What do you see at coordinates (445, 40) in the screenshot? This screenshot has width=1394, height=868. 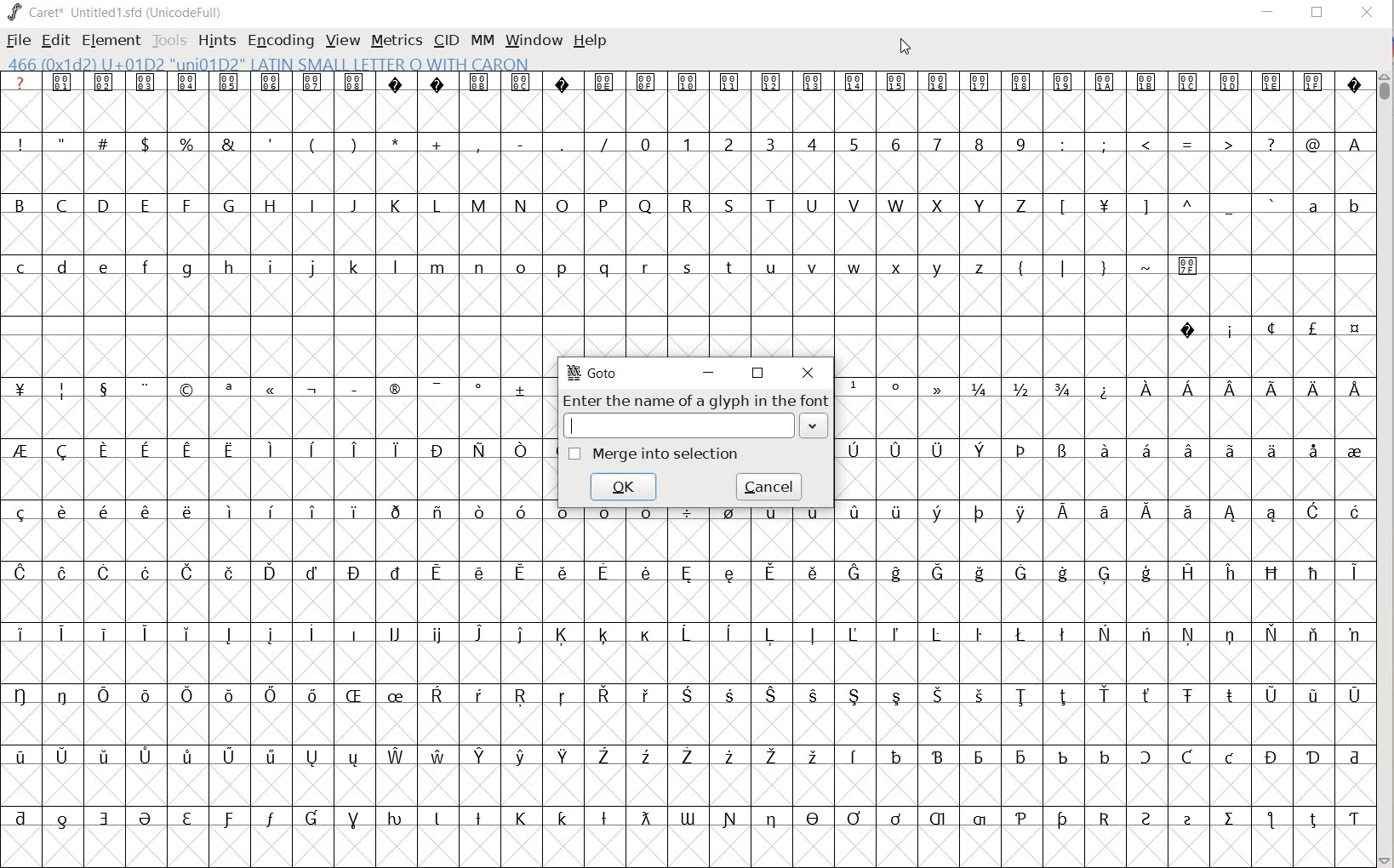 I see `CID` at bounding box center [445, 40].